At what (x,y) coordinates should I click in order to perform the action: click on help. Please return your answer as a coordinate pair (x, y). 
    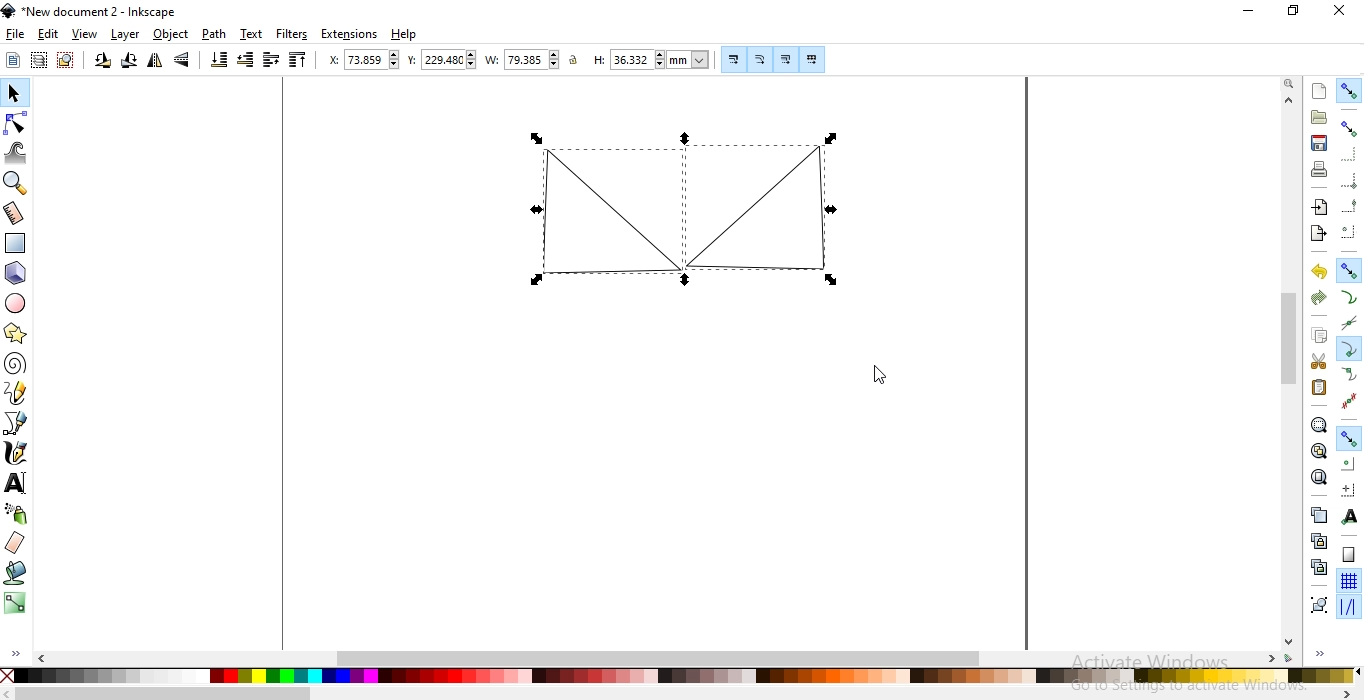
    Looking at the image, I should click on (407, 35).